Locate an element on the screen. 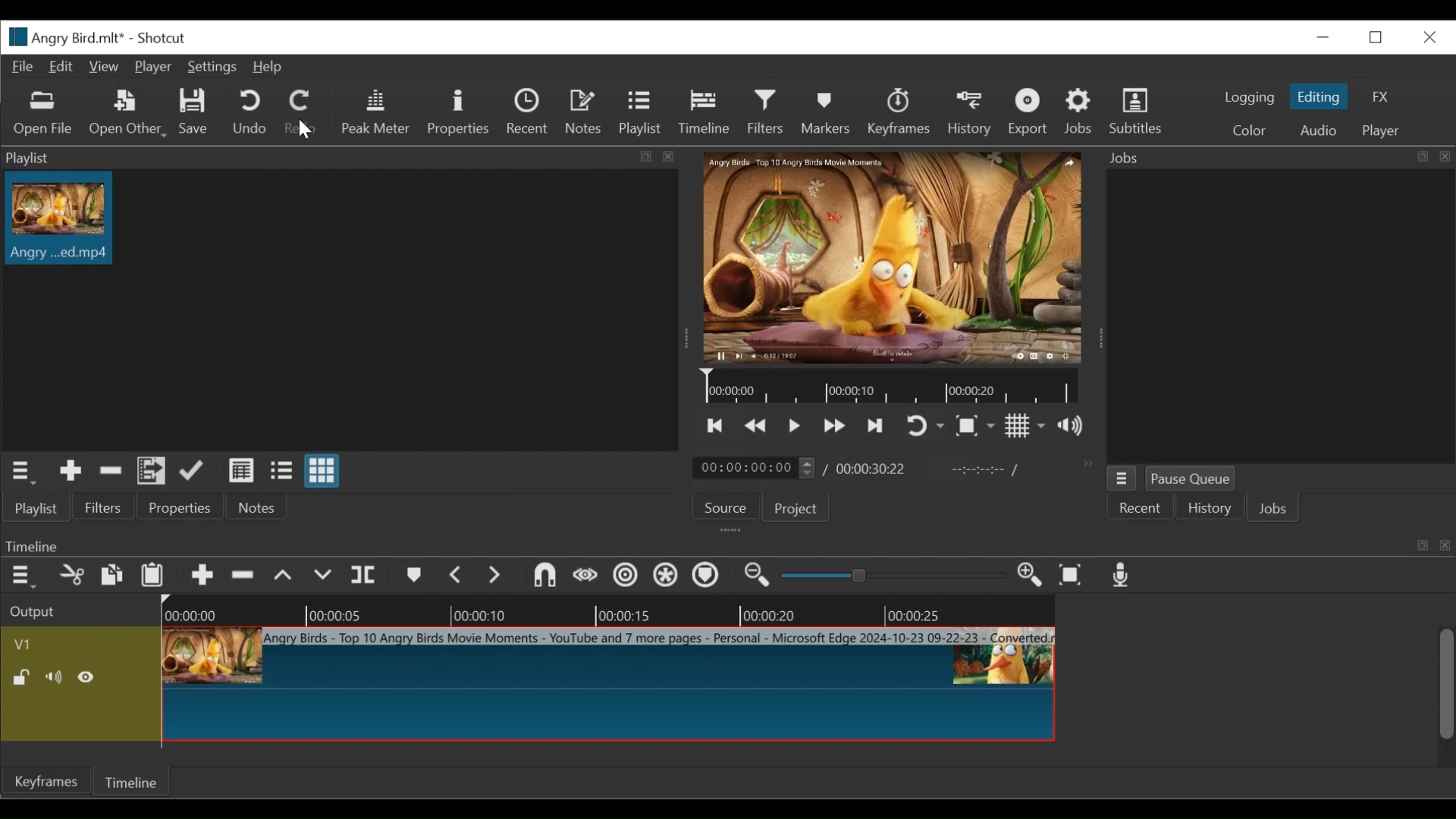 The height and width of the screenshot is (819, 1456). Rippe is located at coordinates (625, 577).